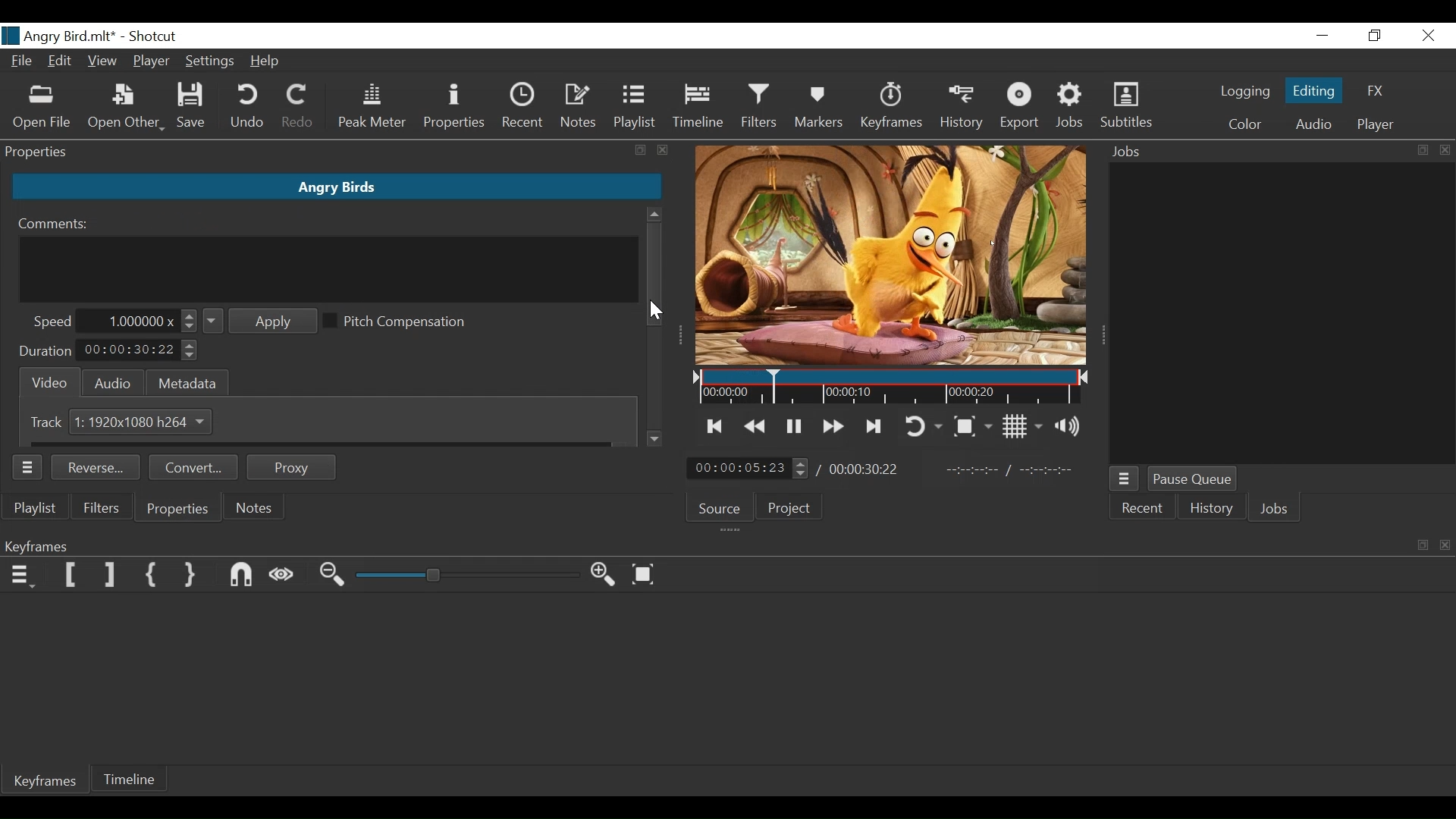  Describe the element at coordinates (1011, 468) in the screenshot. I see `In Point` at that location.